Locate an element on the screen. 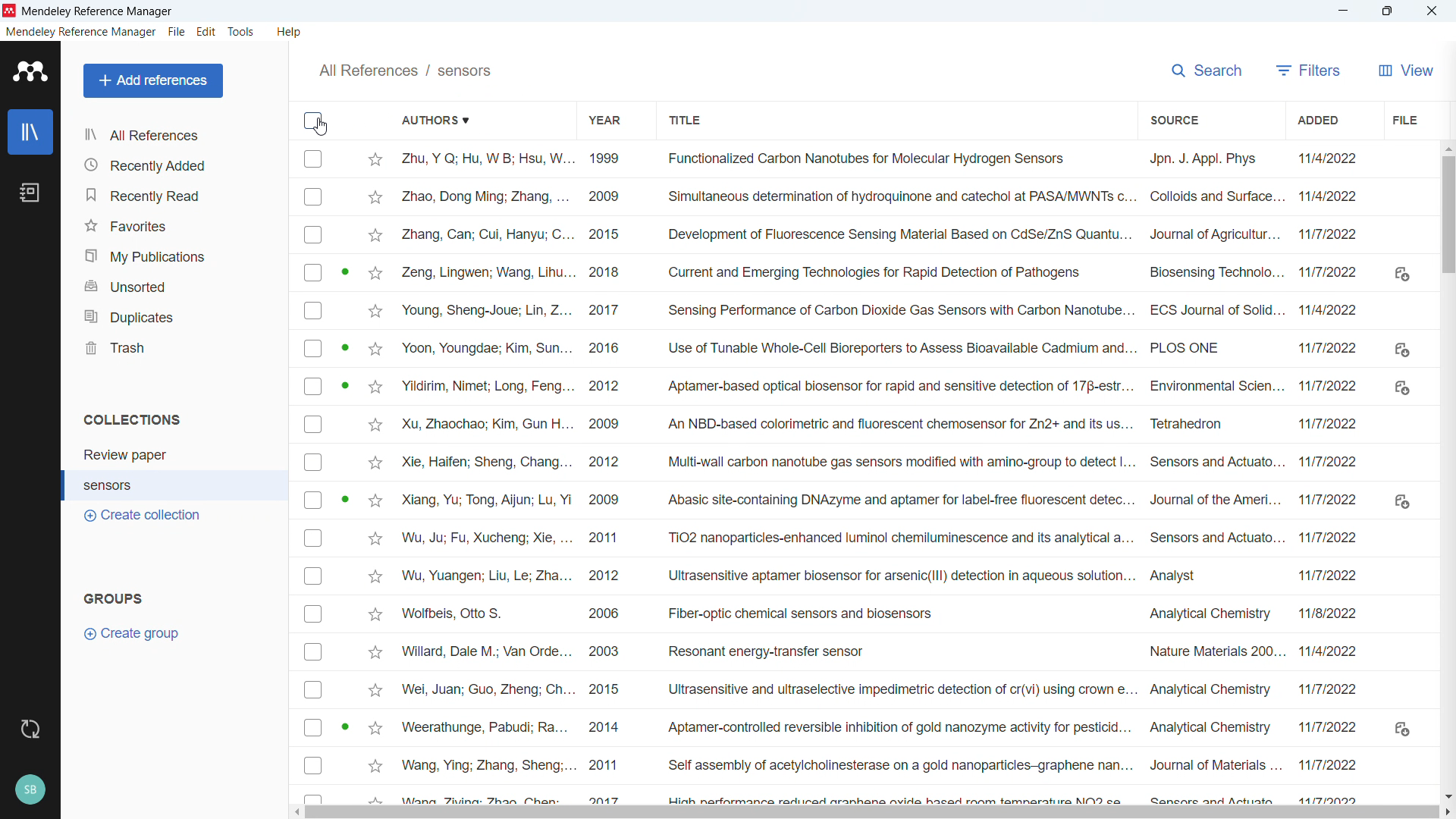  Year of publication of individual entries  is located at coordinates (603, 475).